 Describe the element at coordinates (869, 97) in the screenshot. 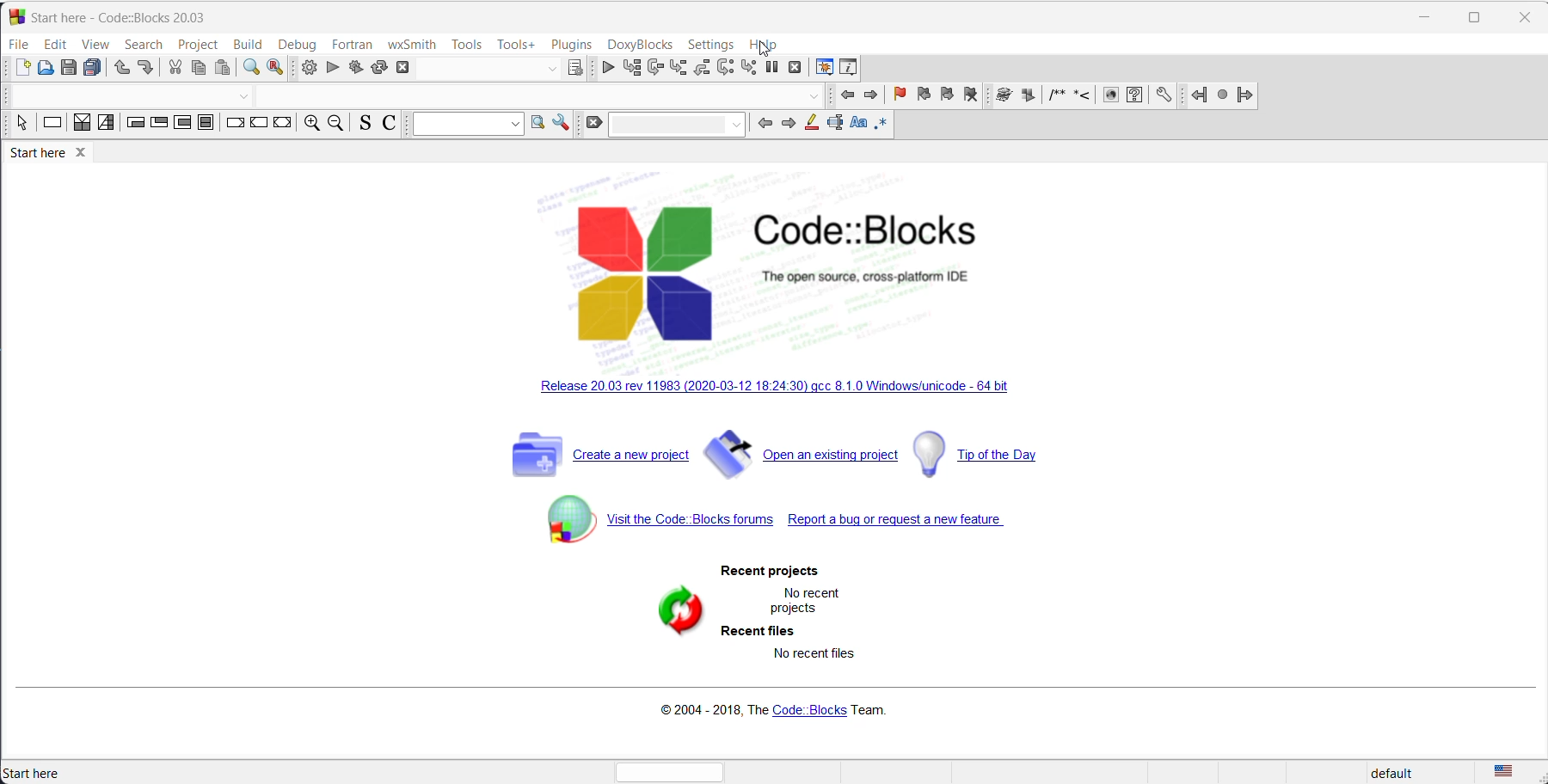

I see `go forward` at that location.